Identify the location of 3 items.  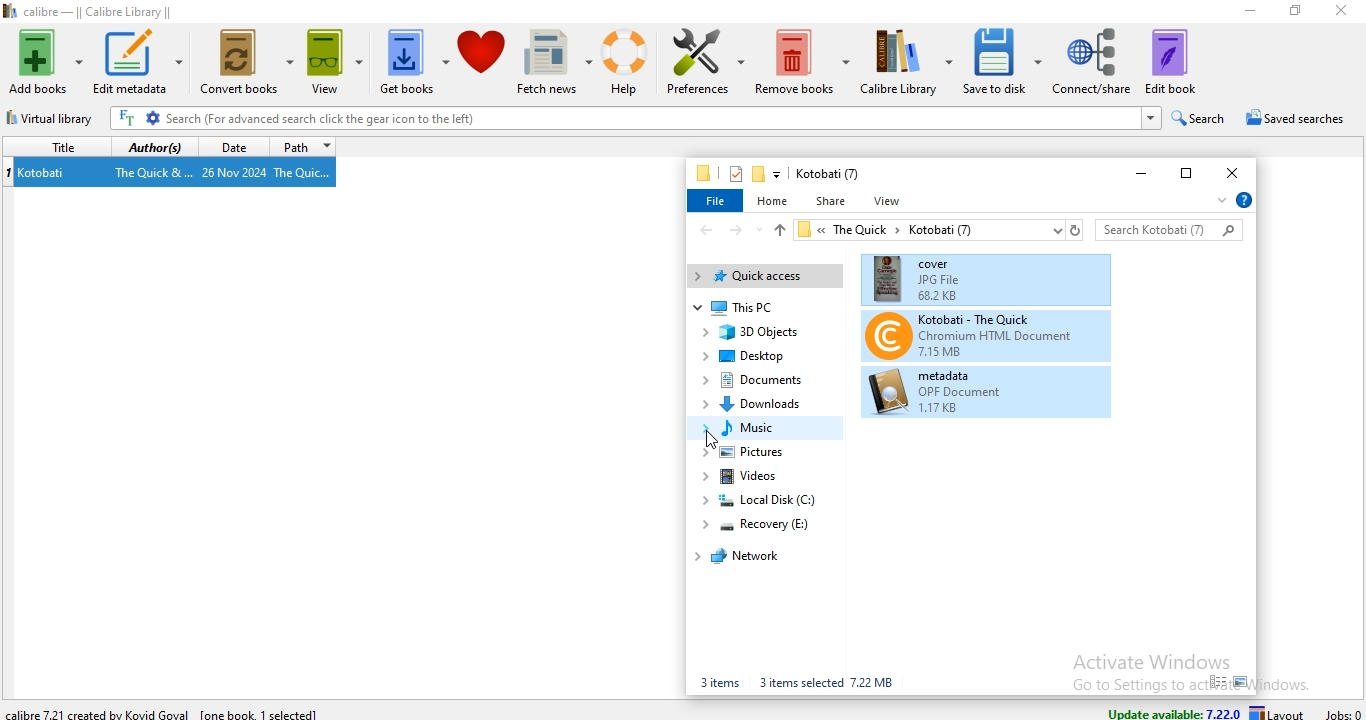
(718, 682).